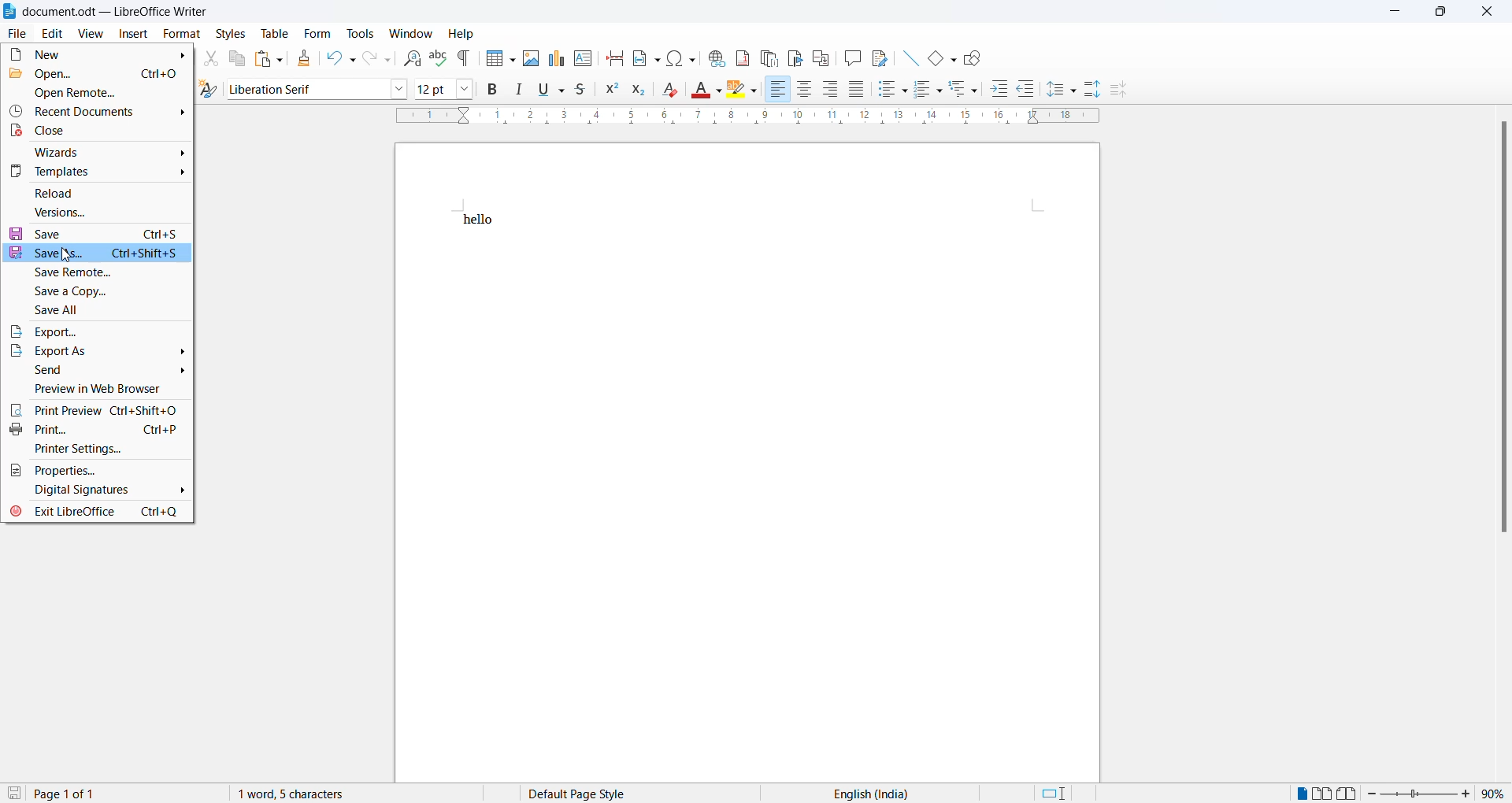 The height and width of the screenshot is (803, 1512). What do you see at coordinates (741, 90) in the screenshot?
I see `Highlight colour options` at bounding box center [741, 90].